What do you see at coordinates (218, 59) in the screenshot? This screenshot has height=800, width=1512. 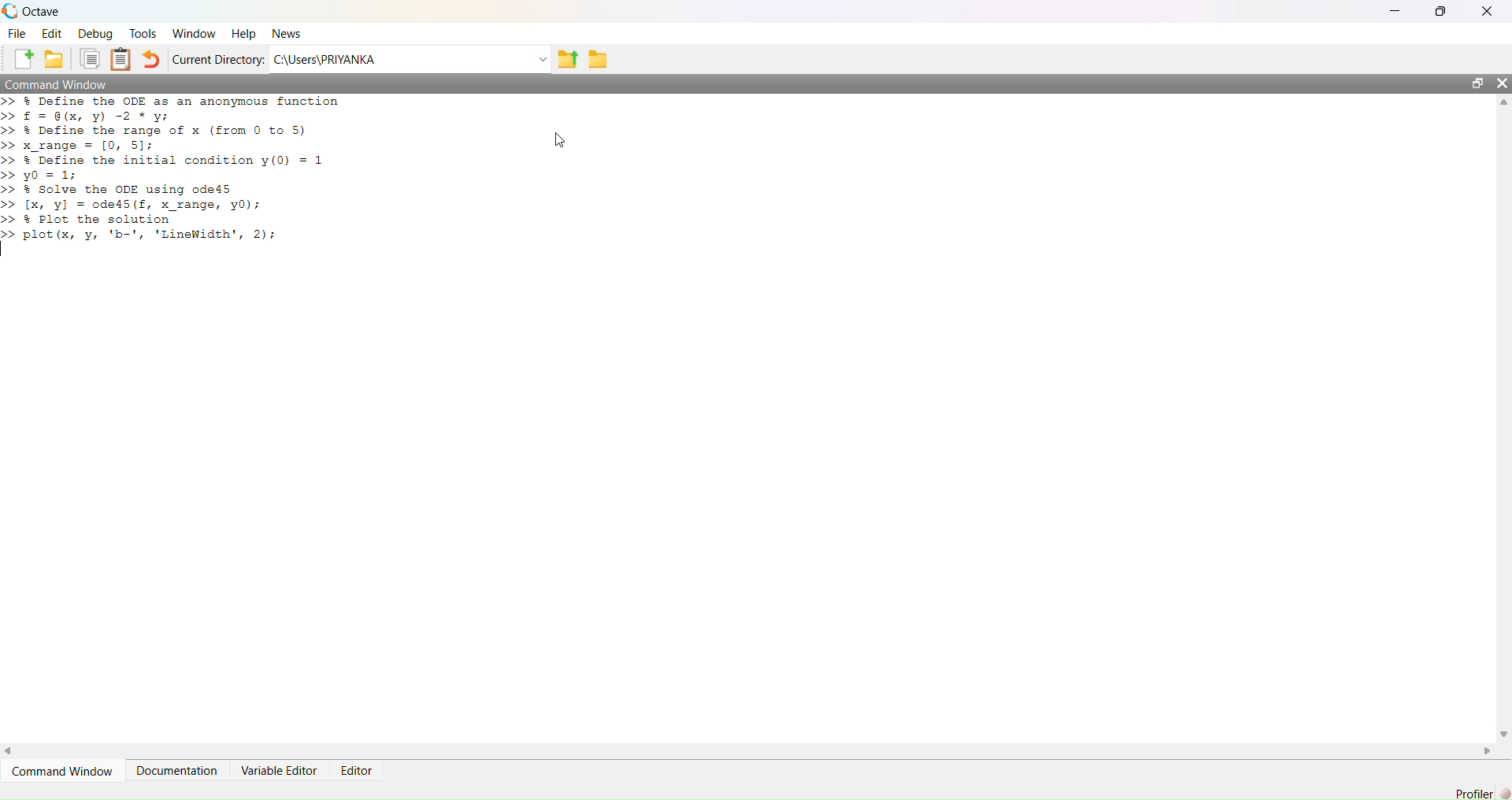 I see `Current Directory:` at bounding box center [218, 59].